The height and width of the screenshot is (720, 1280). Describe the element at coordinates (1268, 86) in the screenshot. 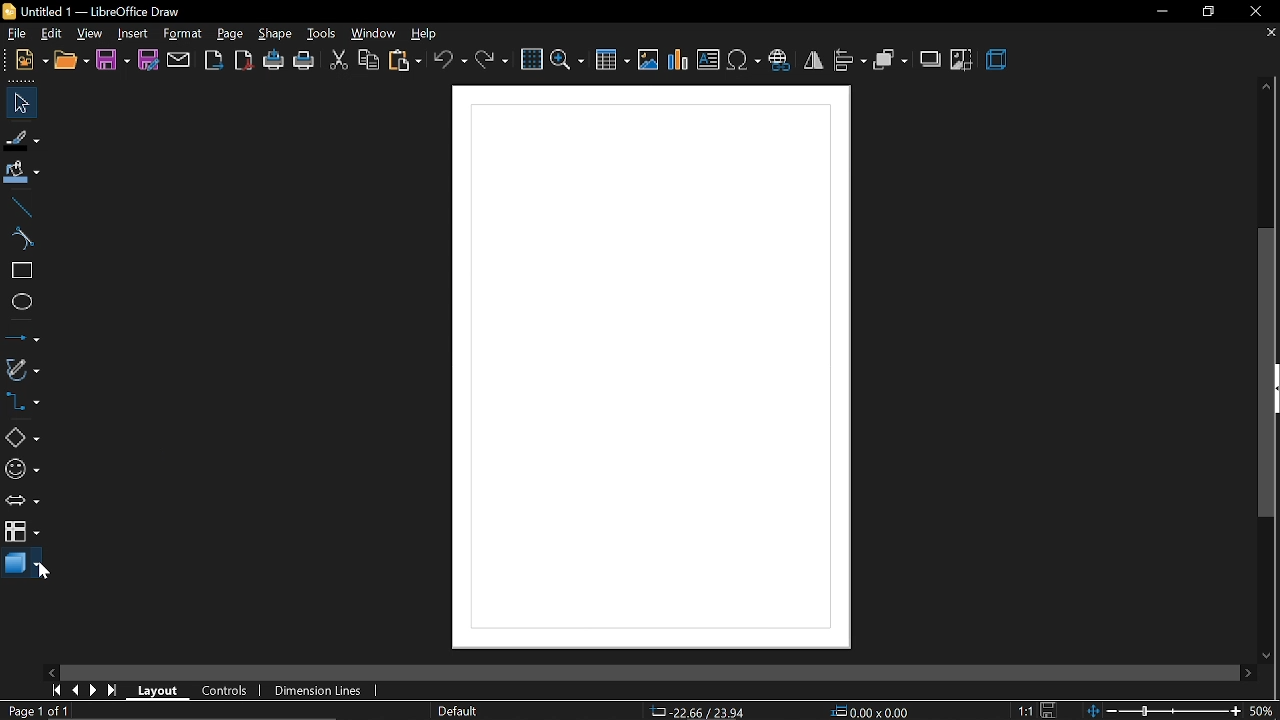

I see `move up` at that location.